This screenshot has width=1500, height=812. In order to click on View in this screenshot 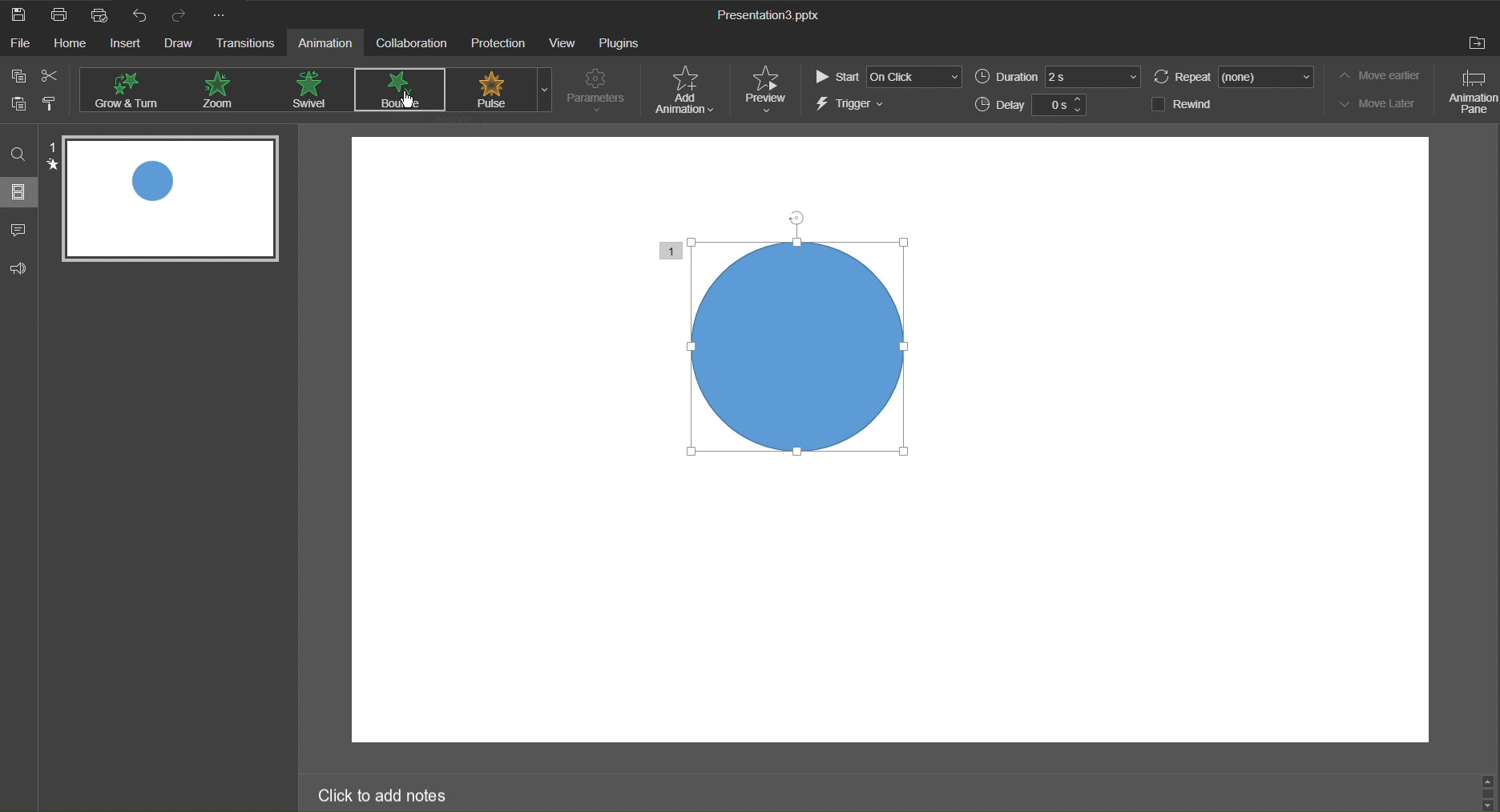, I will do `click(563, 44)`.